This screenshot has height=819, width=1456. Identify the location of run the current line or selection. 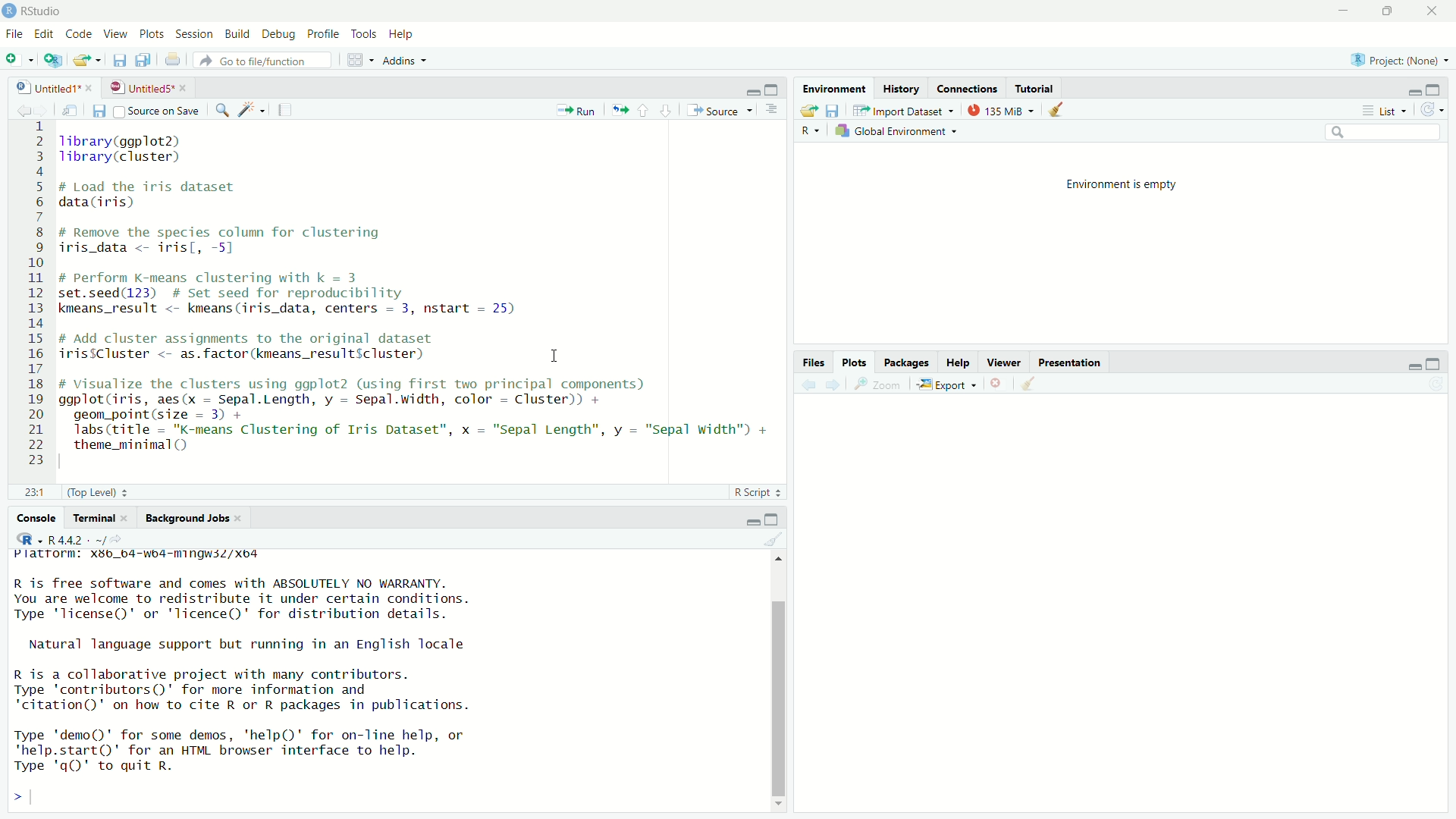
(575, 109).